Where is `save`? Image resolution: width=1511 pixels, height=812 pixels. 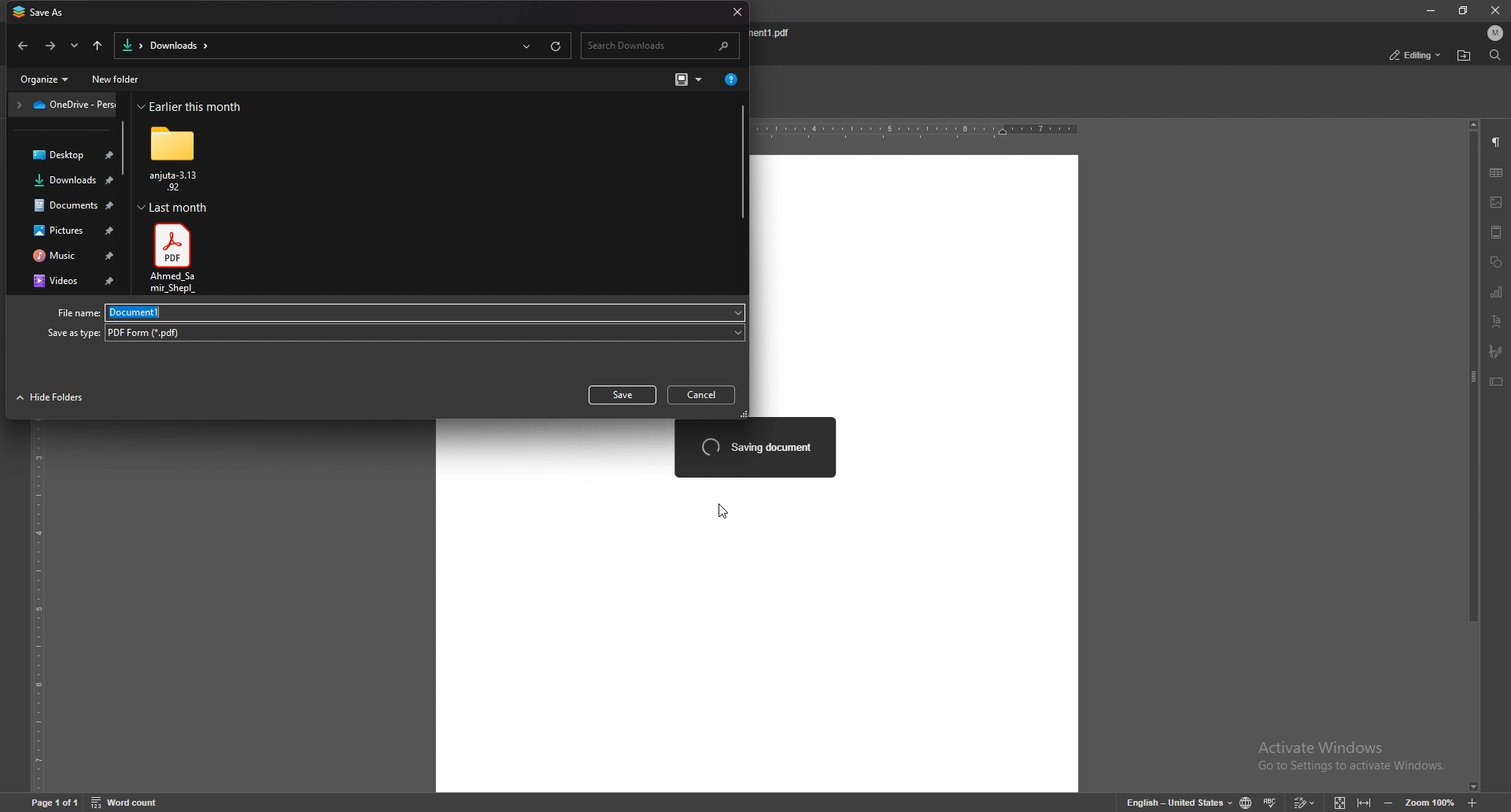 save is located at coordinates (623, 394).